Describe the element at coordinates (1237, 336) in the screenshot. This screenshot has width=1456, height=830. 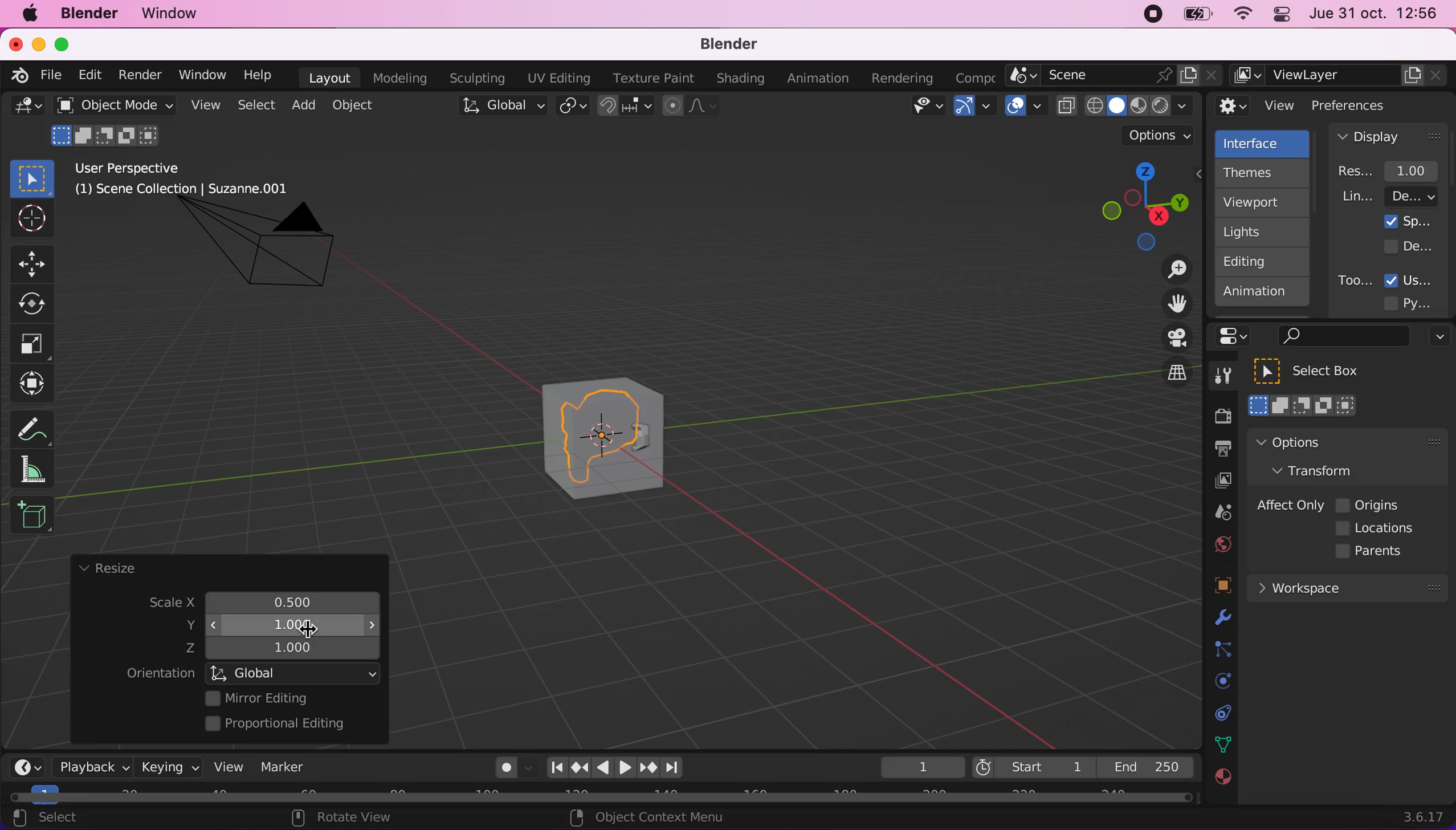
I see `panel control` at that location.